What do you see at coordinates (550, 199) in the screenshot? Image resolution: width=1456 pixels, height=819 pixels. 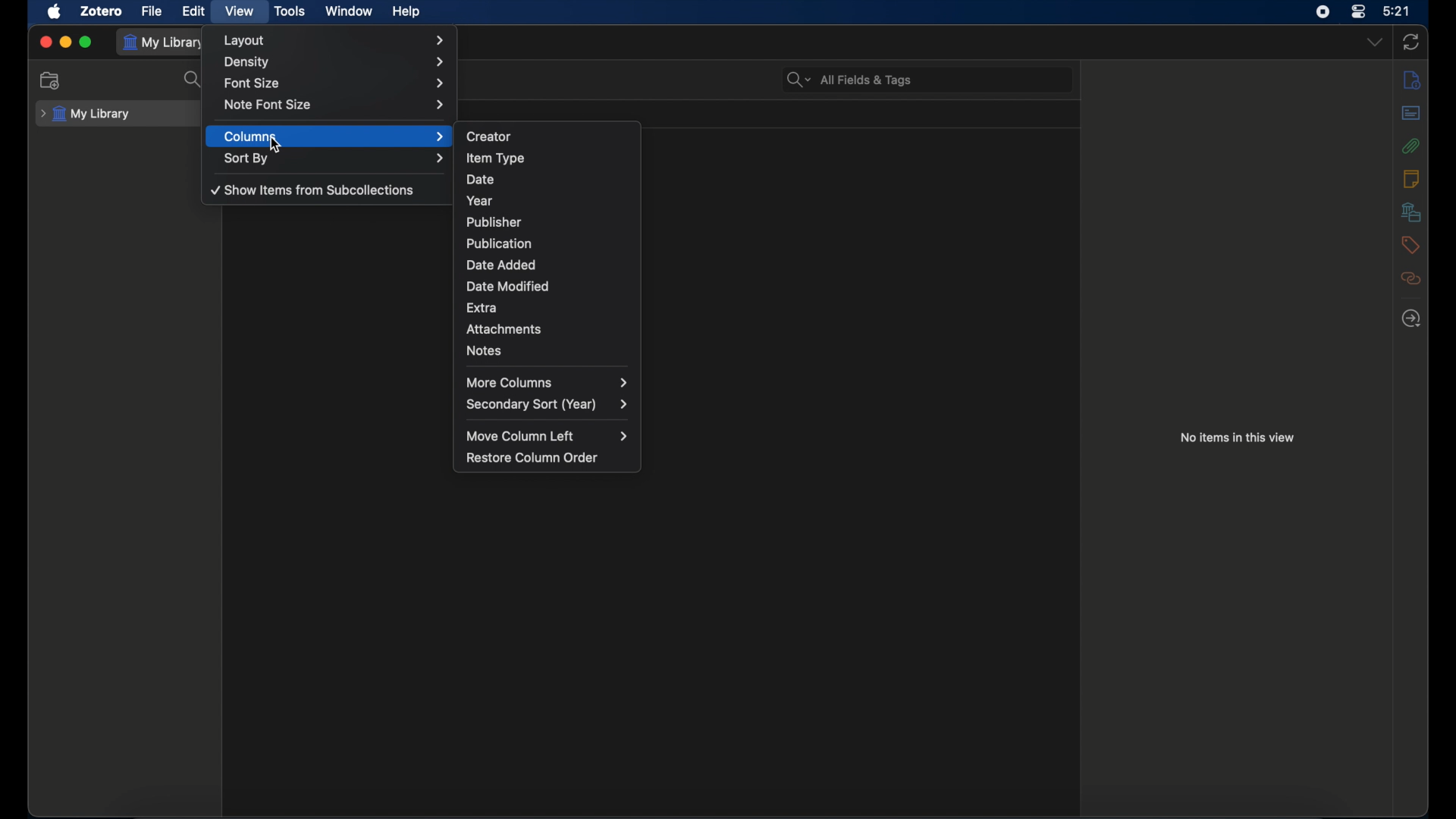 I see `year` at bounding box center [550, 199].